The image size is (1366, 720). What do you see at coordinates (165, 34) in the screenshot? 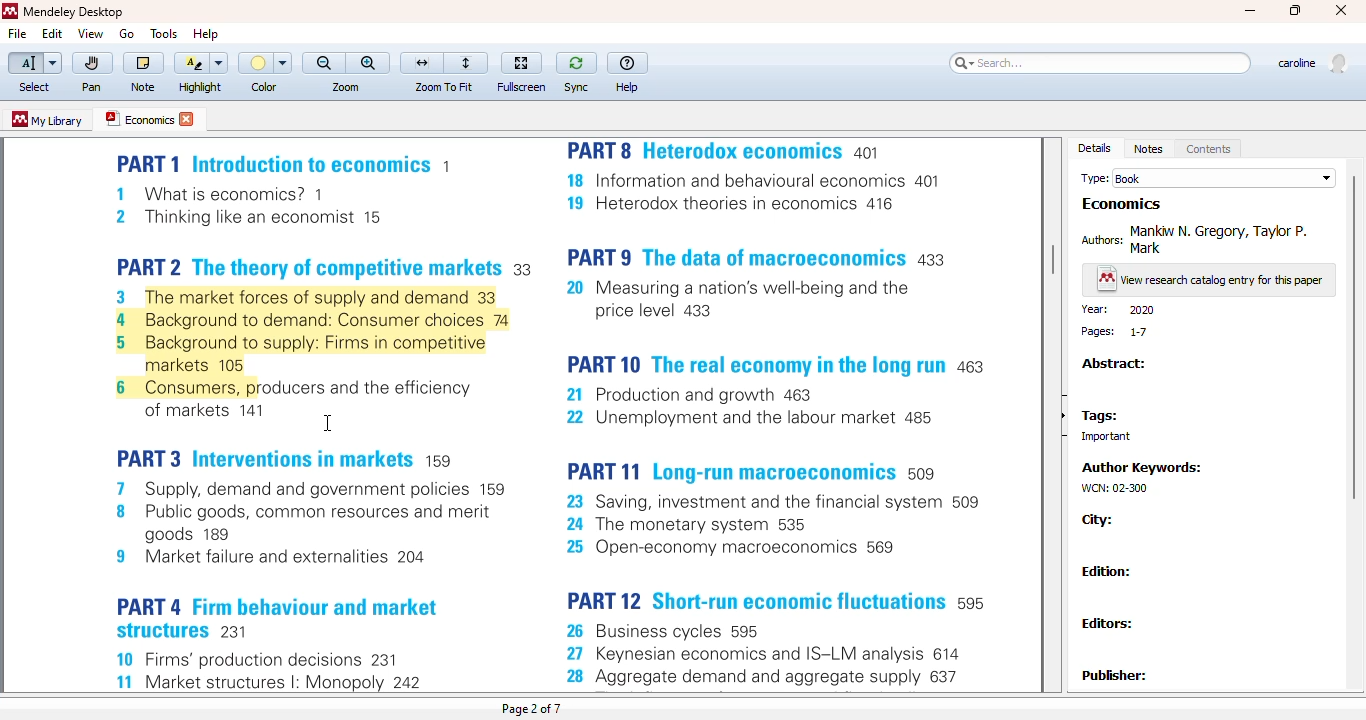
I see `tools` at bounding box center [165, 34].